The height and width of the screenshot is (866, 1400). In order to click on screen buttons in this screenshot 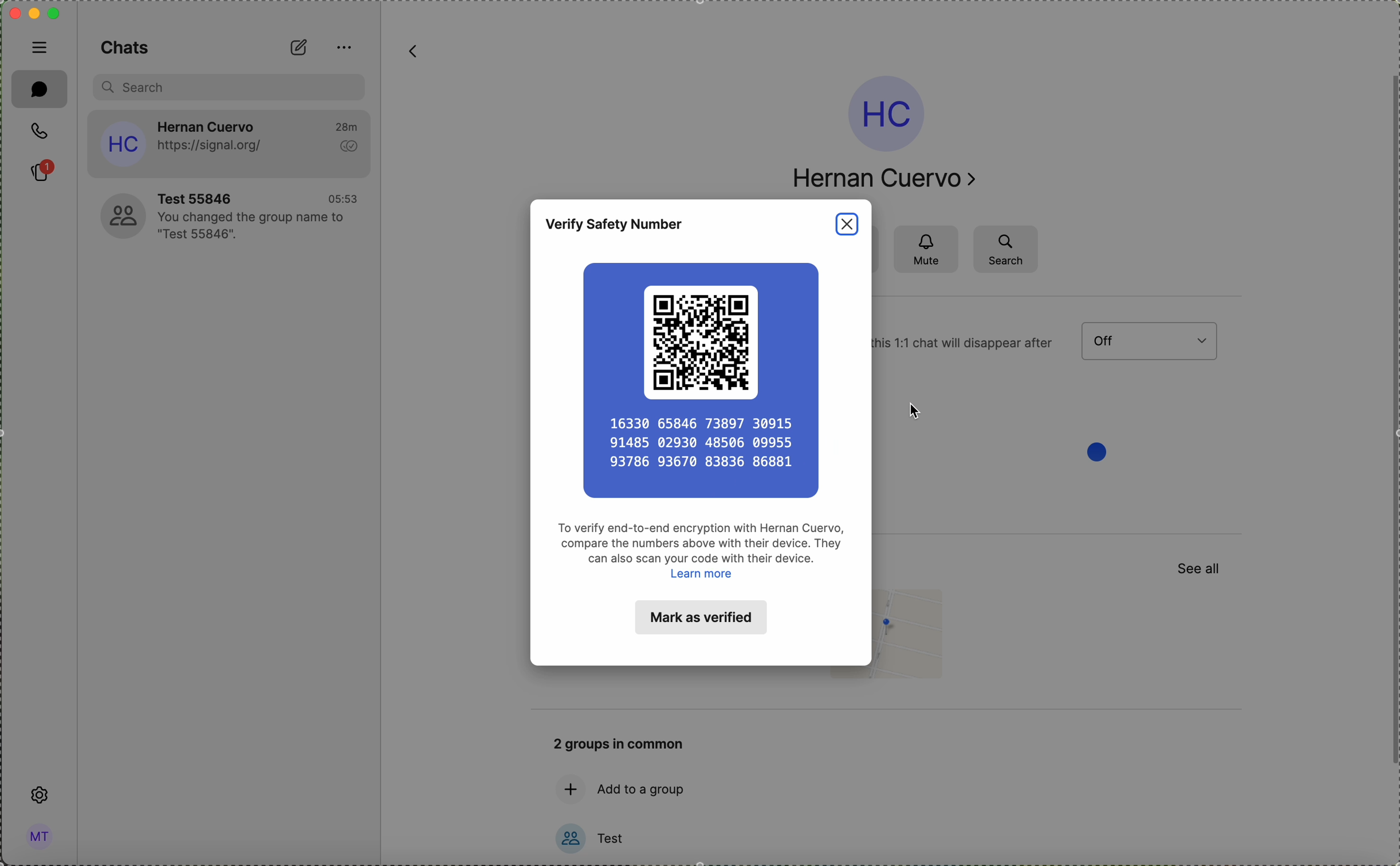, I will do `click(32, 13)`.